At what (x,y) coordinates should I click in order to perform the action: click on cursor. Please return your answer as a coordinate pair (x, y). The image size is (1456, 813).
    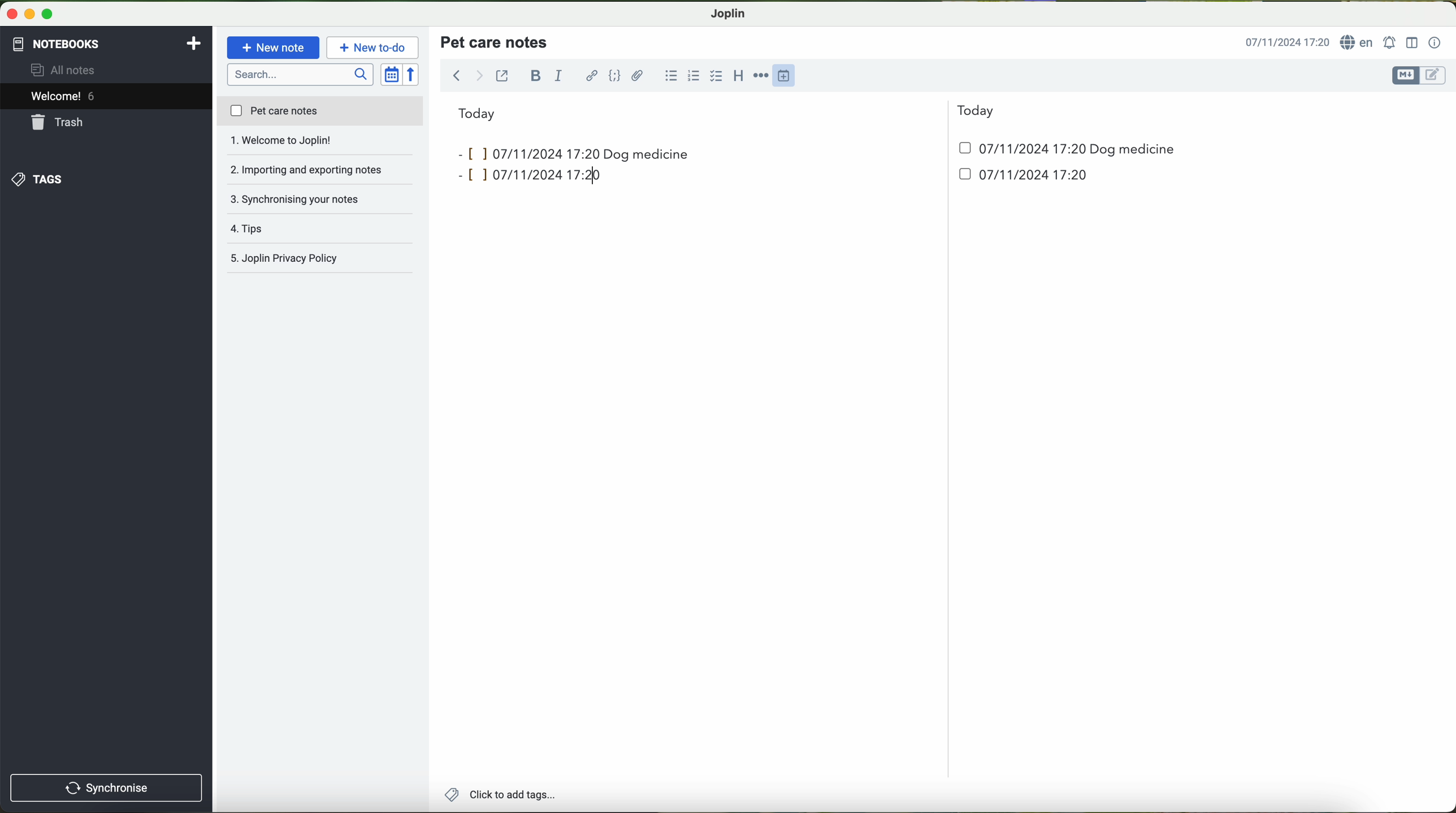
    Looking at the image, I should click on (793, 88).